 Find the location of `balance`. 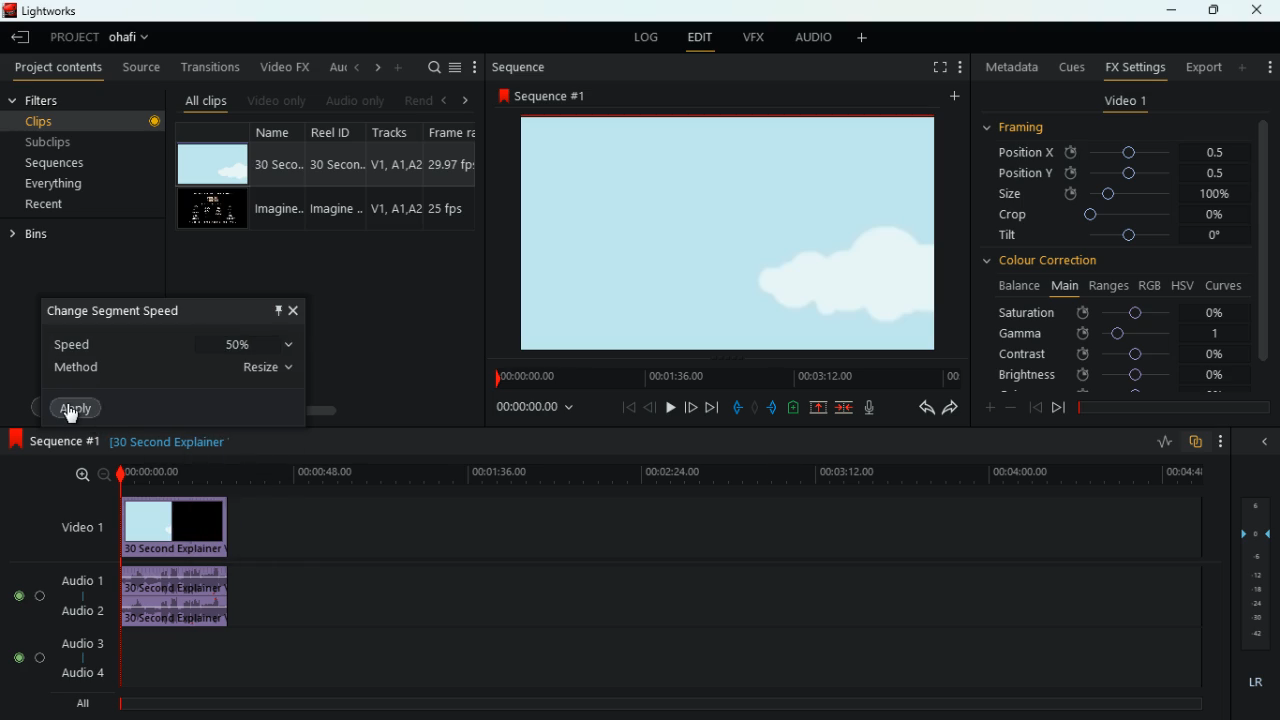

balance is located at coordinates (1016, 286).